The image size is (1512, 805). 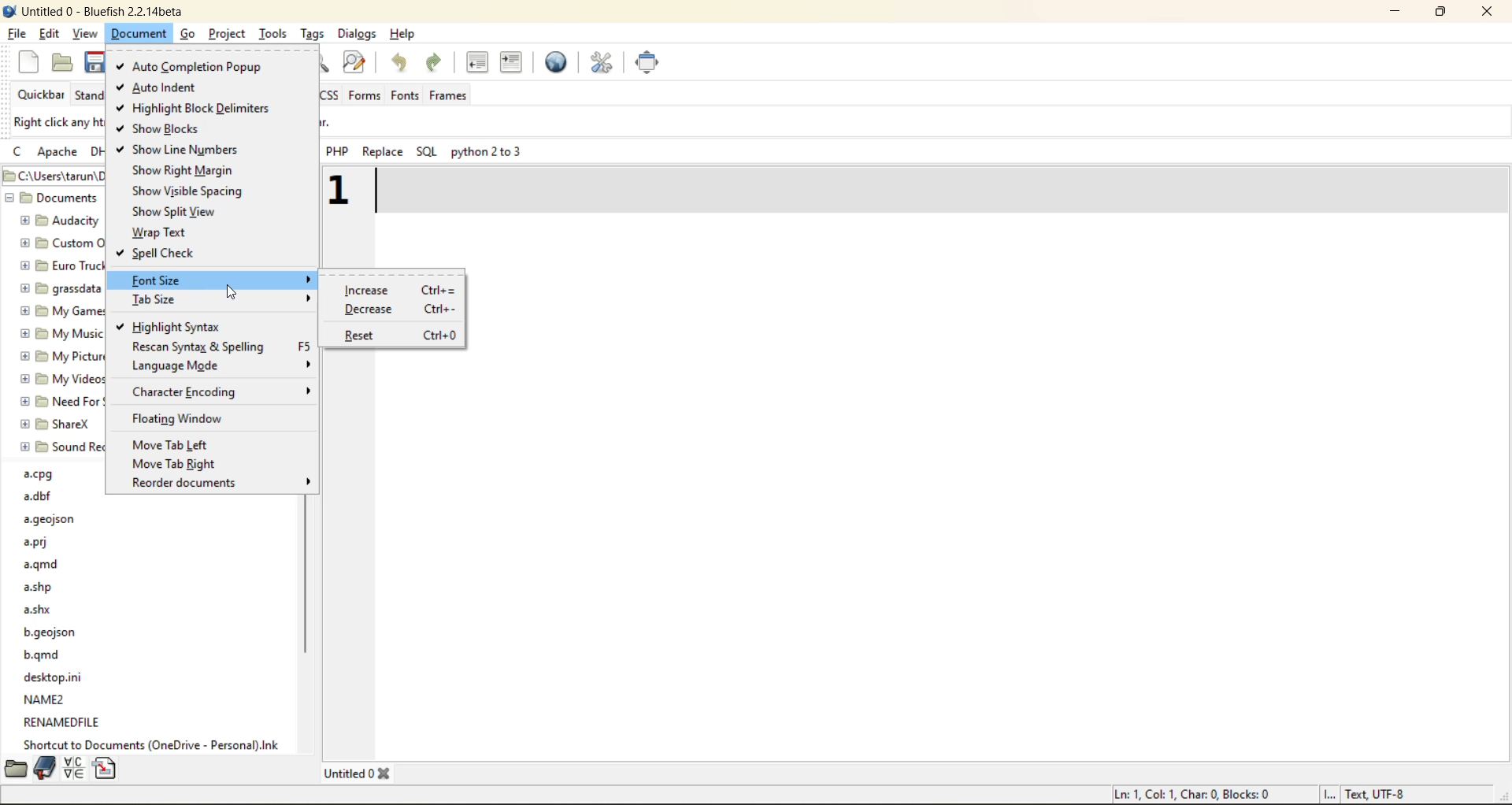 What do you see at coordinates (1439, 12) in the screenshot?
I see `maximize` at bounding box center [1439, 12].